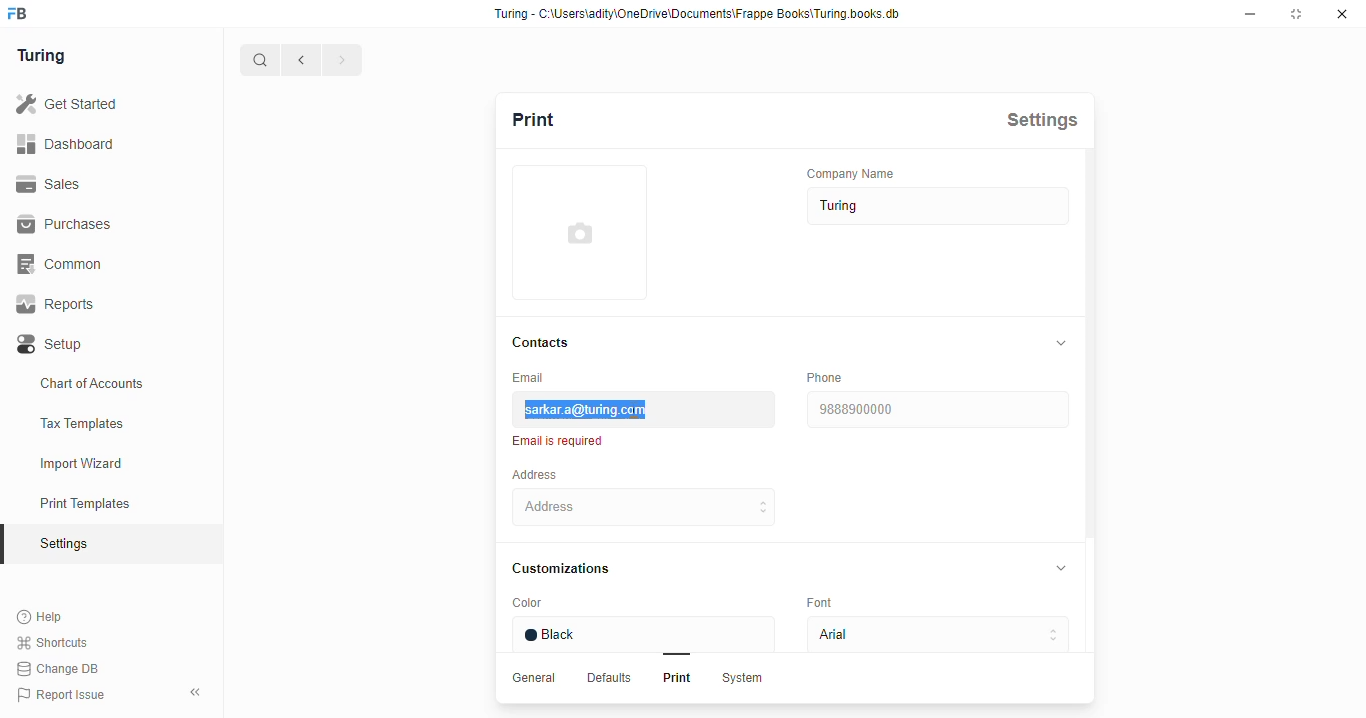 The width and height of the screenshot is (1366, 718). Describe the element at coordinates (26, 14) in the screenshot. I see `frappebooks logo` at that location.